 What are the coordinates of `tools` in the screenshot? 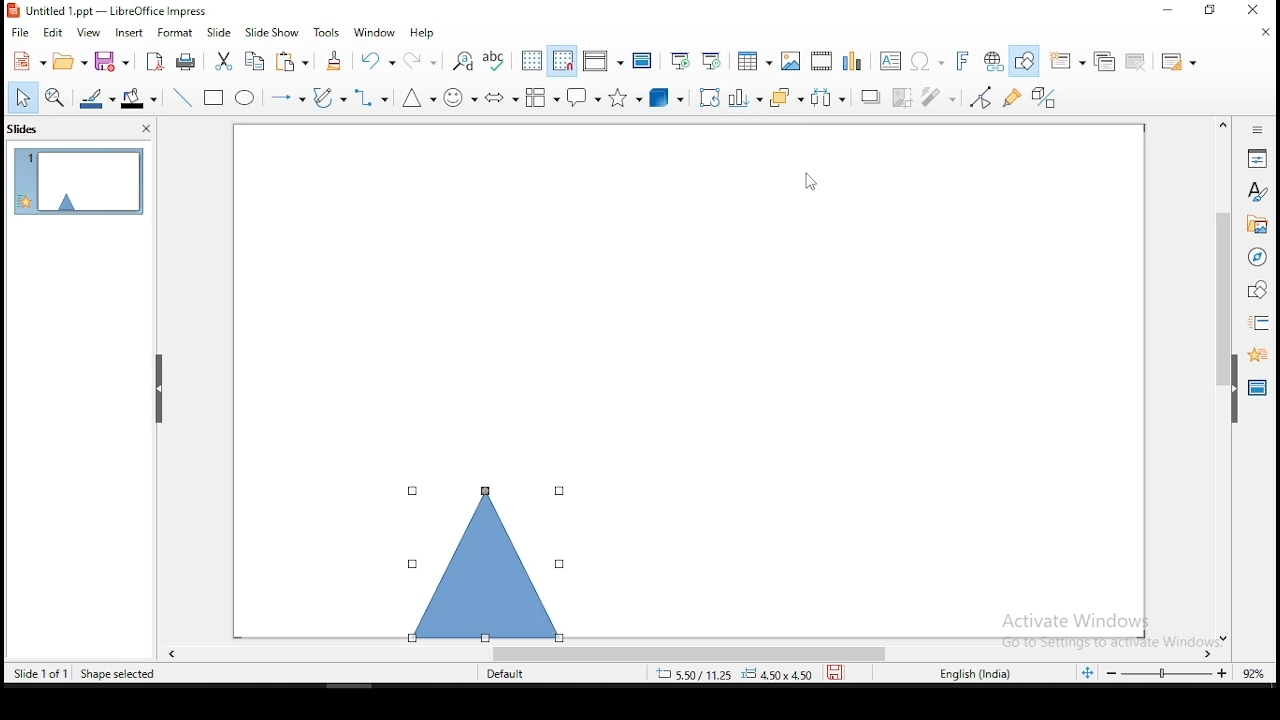 It's located at (330, 31).